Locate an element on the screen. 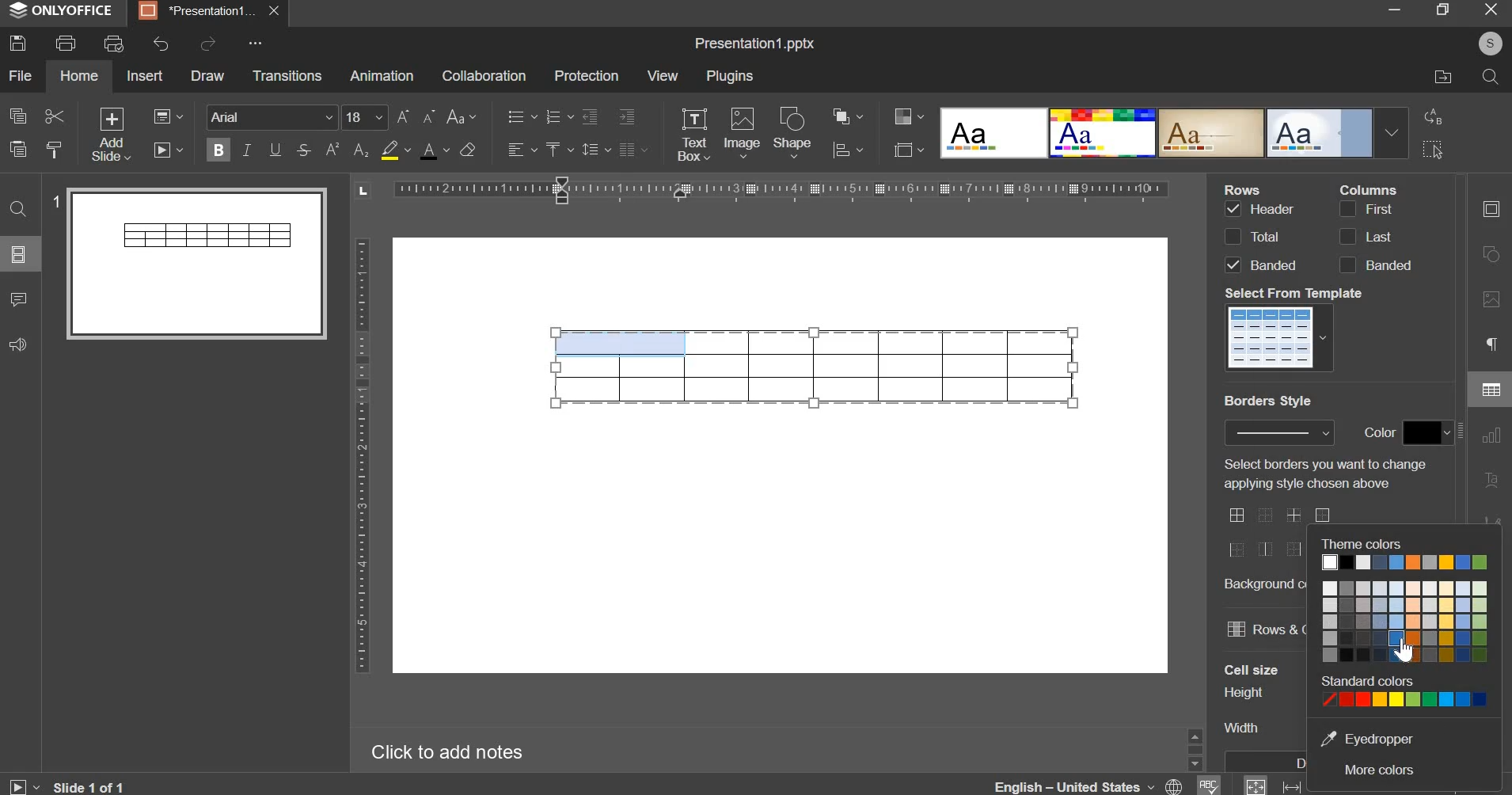 The width and height of the screenshot is (1512, 795). eyedropper is located at coordinates (1370, 739).